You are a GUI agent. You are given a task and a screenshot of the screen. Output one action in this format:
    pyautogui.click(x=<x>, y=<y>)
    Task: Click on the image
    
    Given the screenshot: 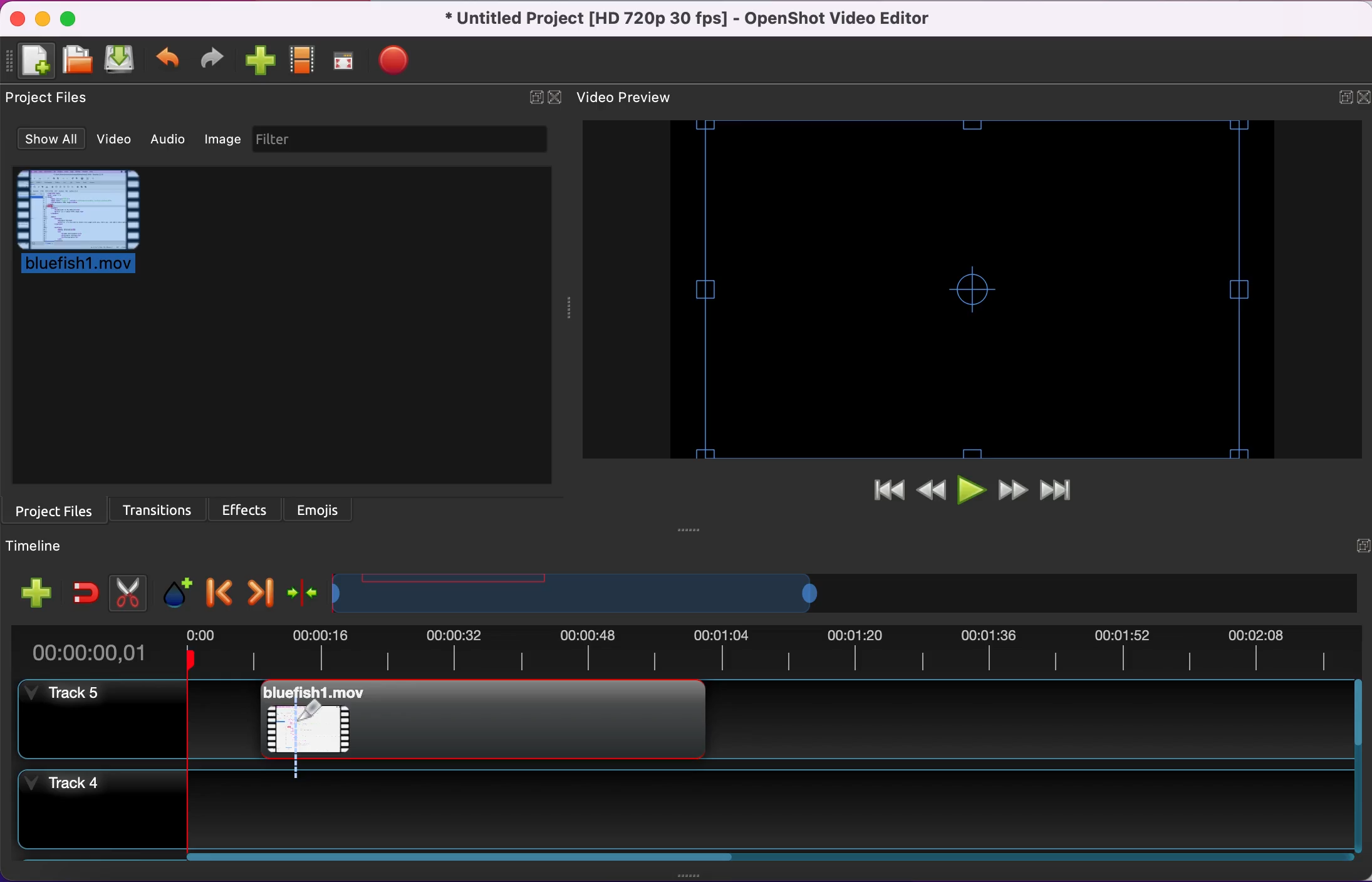 What is the action you would take?
    pyautogui.click(x=224, y=143)
    